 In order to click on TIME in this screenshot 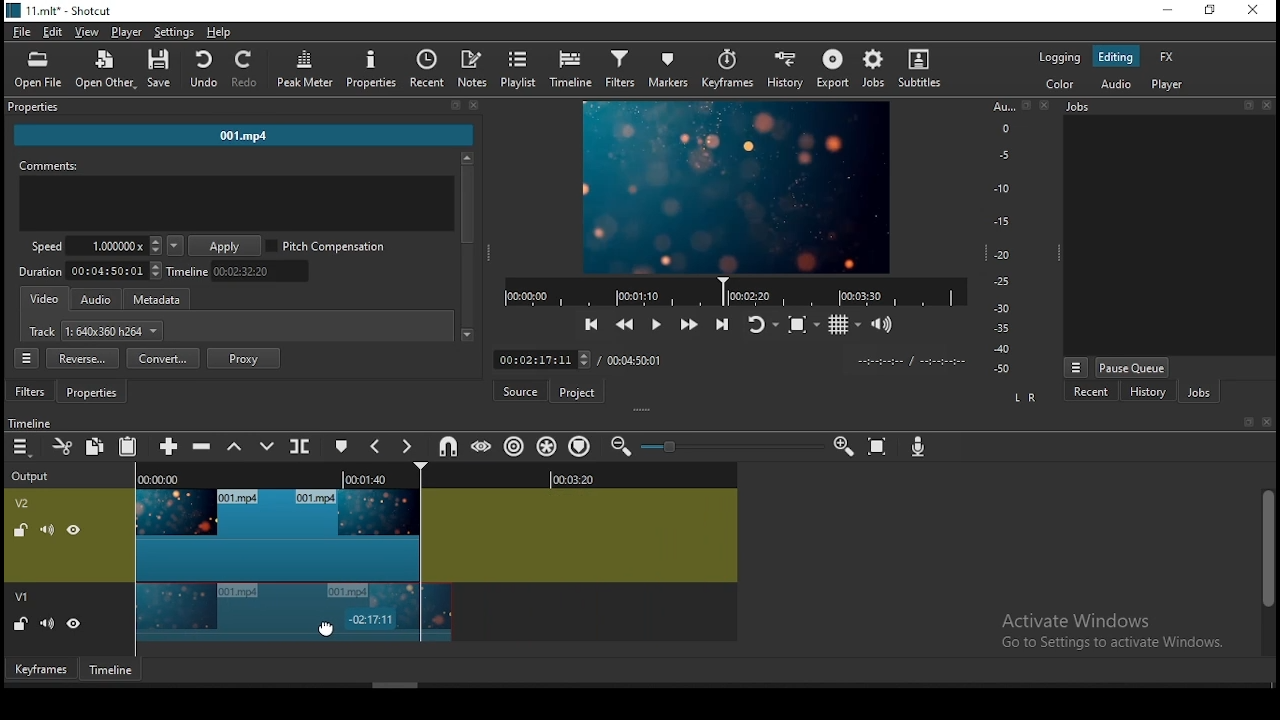, I will do `click(911, 361)`.